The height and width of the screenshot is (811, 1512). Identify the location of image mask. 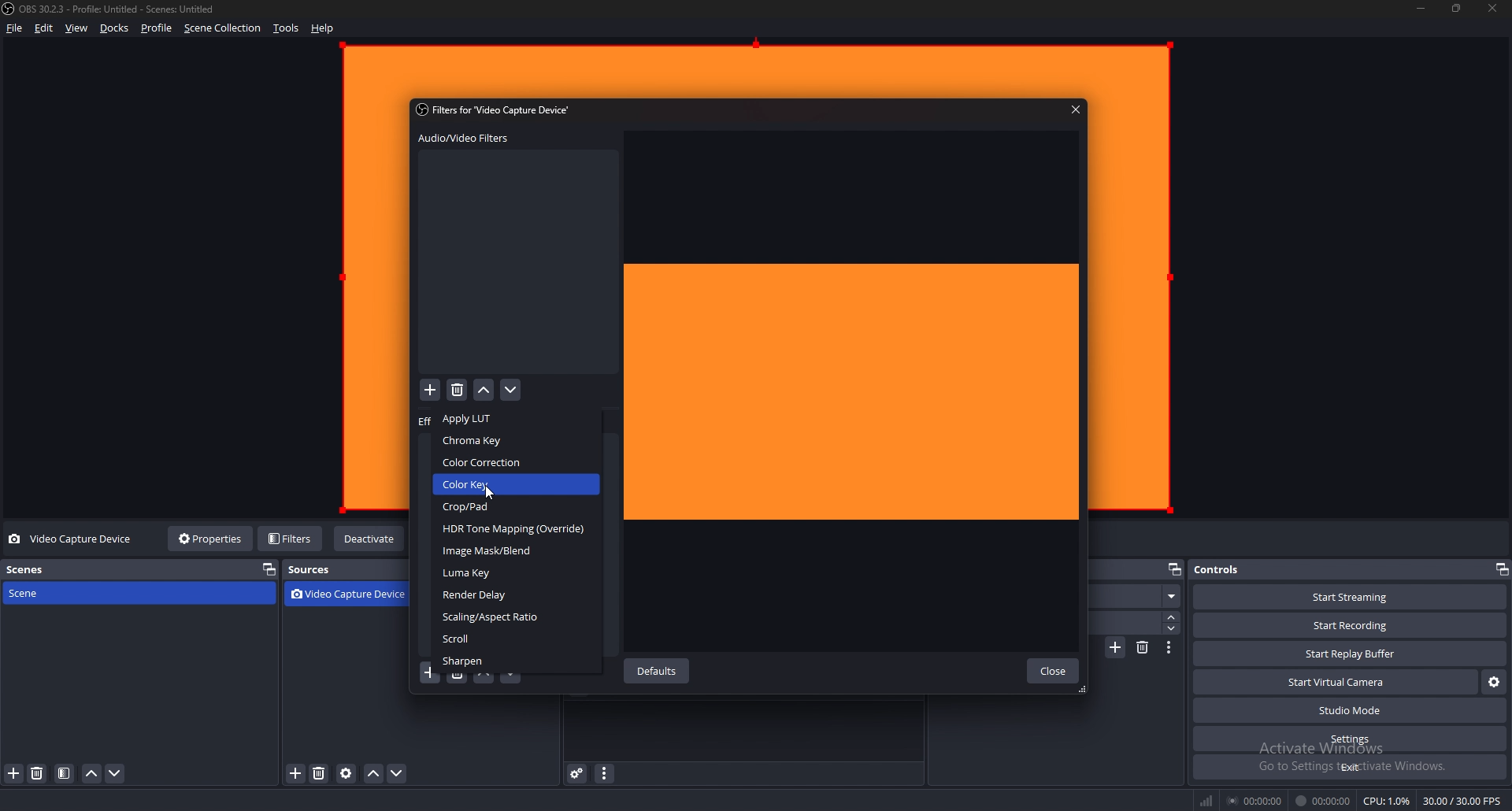
(516, 553).